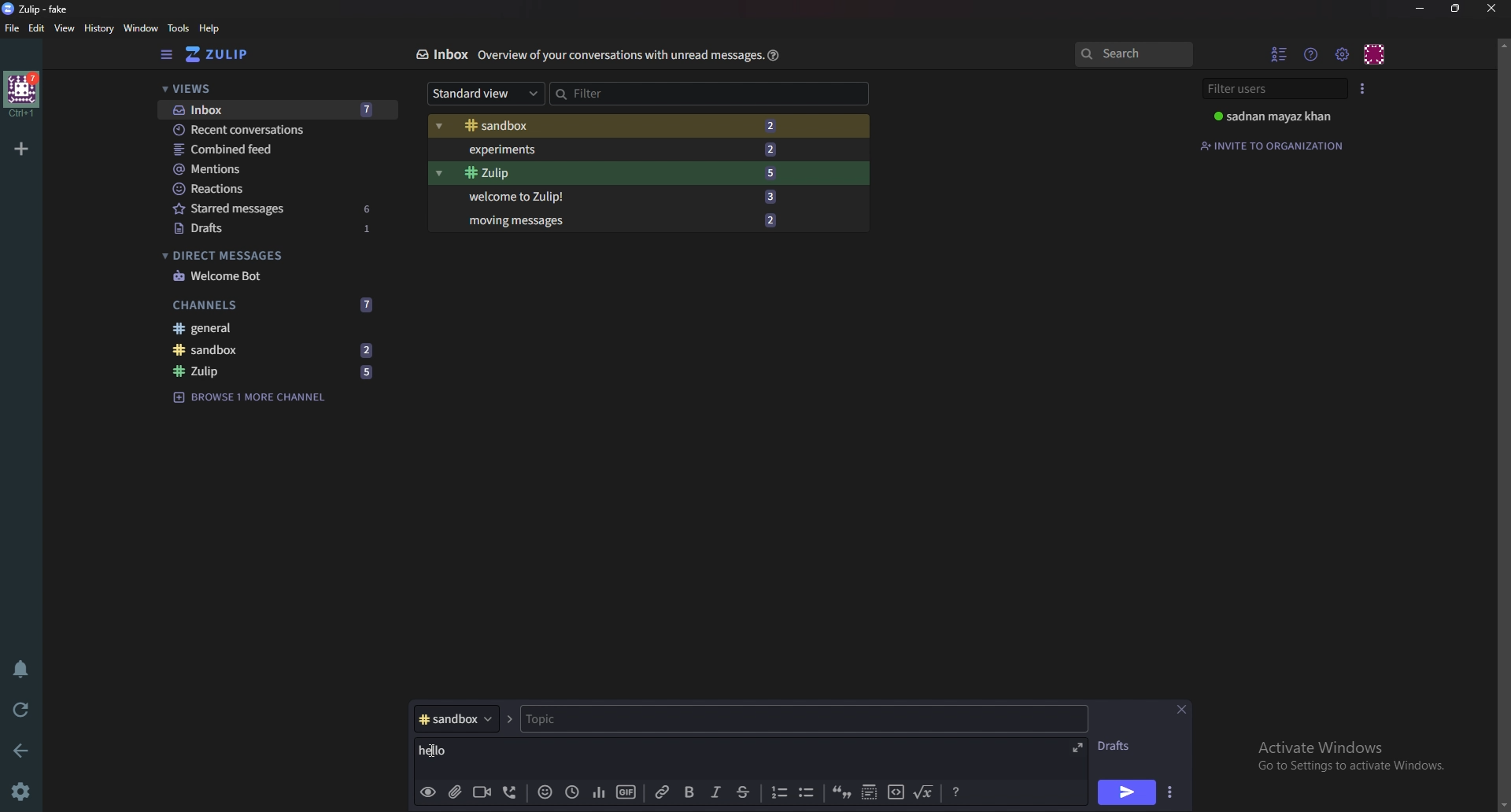 The height and width of the screenshot is (812, 1511). Describe the element at coordinates (273, 168) in the screenshot. I see `Mentions` at that location.